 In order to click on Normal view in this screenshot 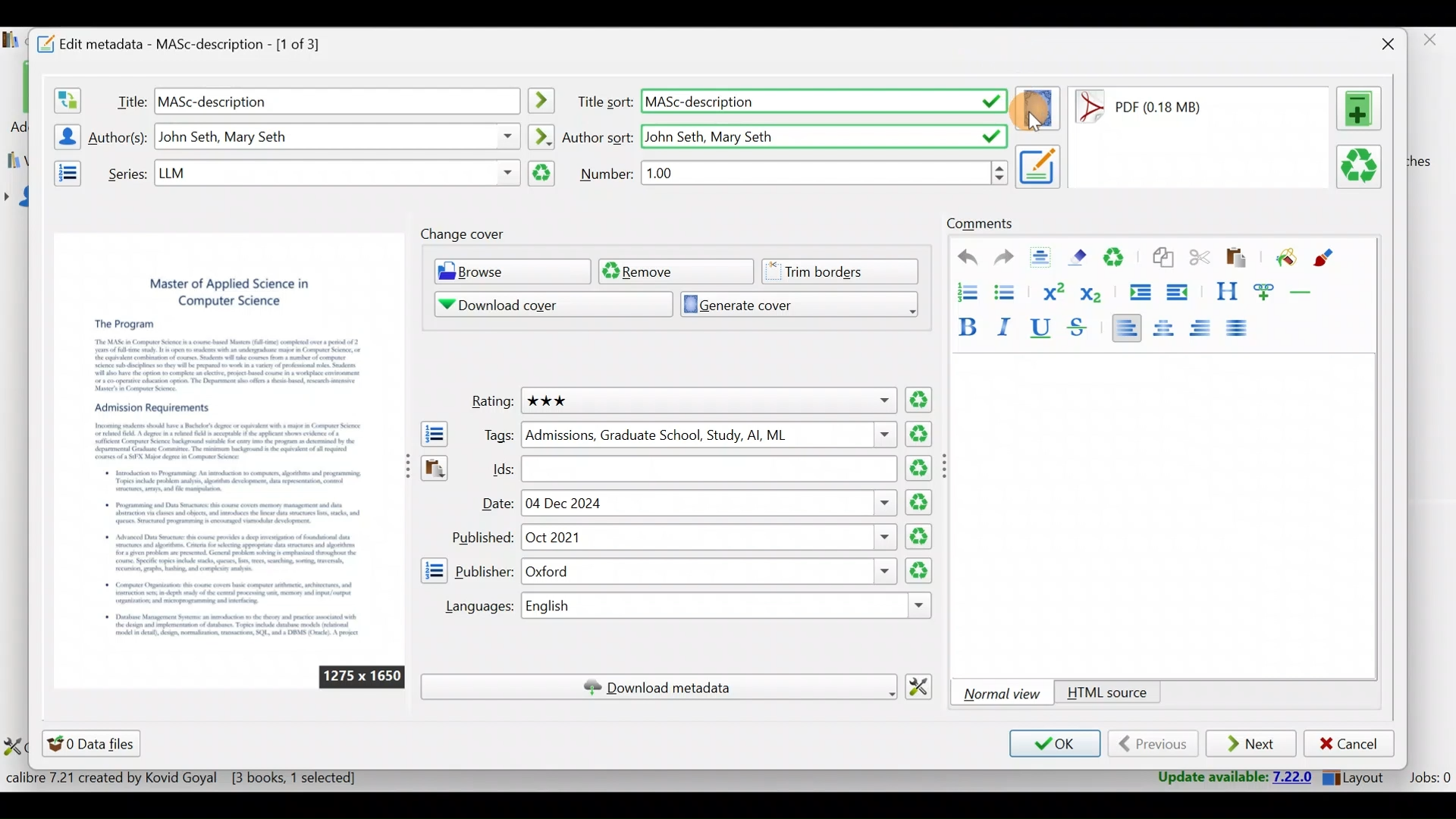, I will do `click(1005, 693)`.